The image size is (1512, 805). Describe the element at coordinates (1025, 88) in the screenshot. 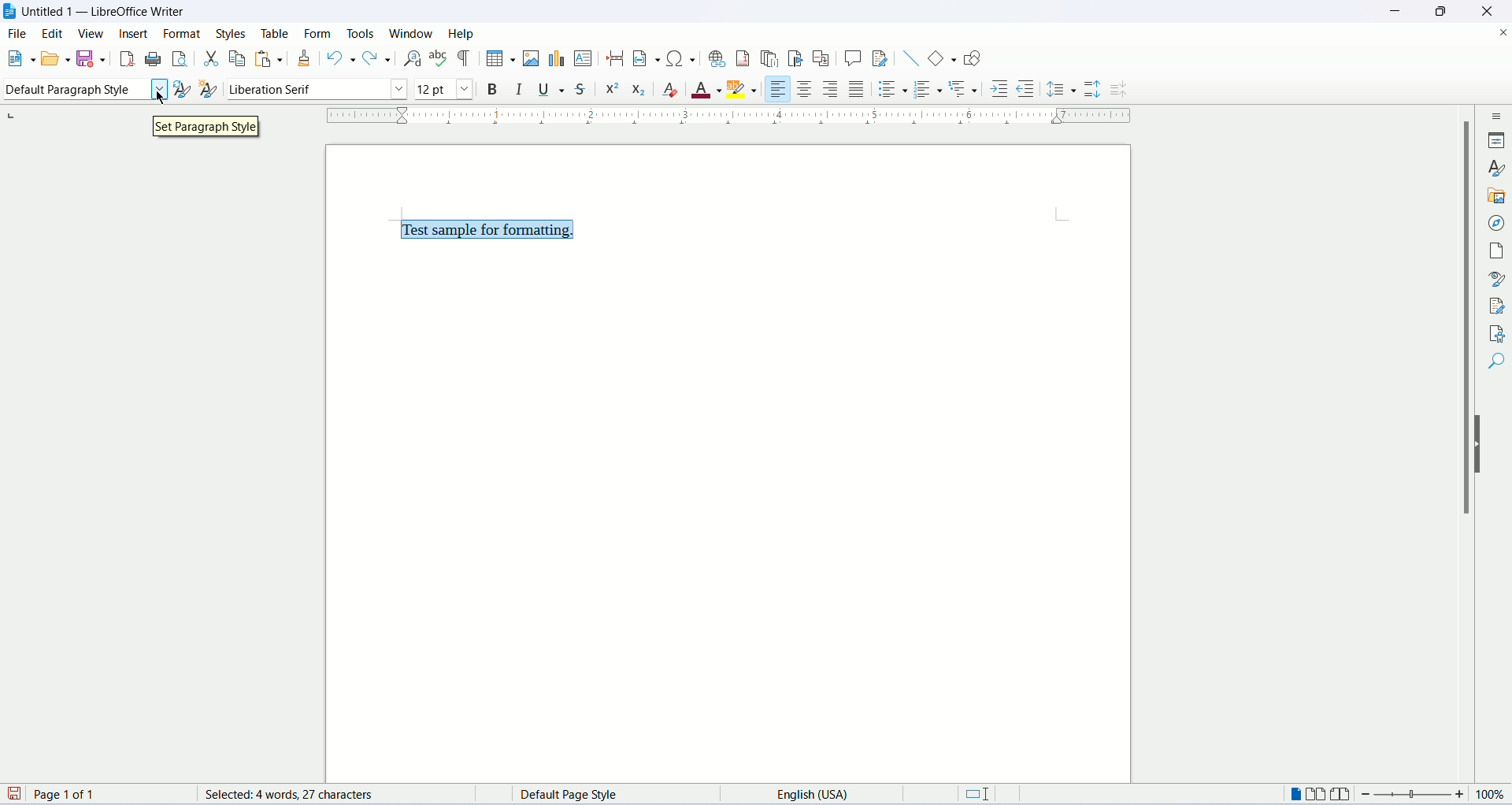

I see `decrease indent` at that location.